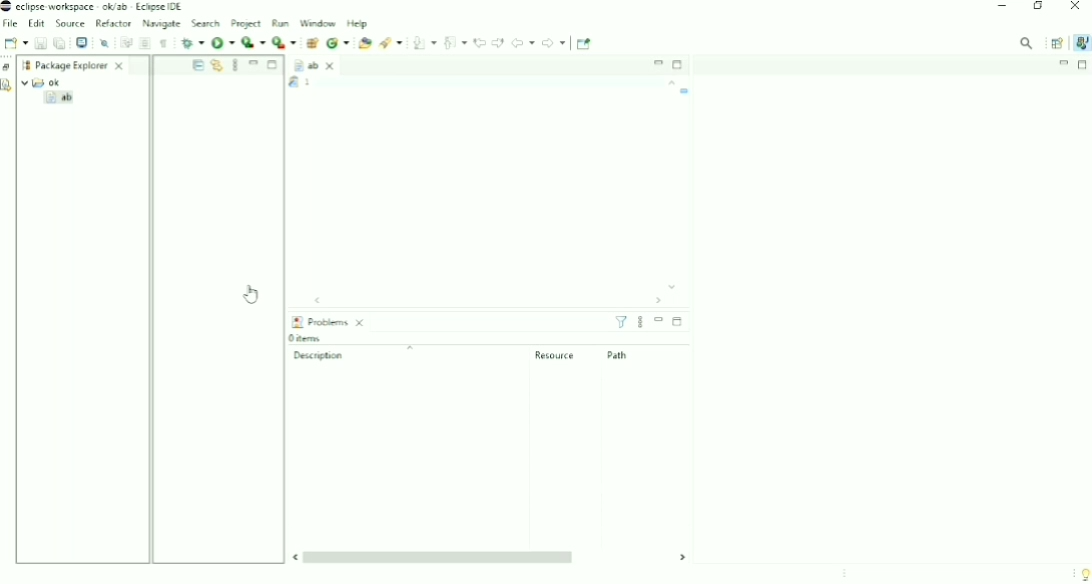  I want to click on Toggle Word Wrap, so click(125, 42).